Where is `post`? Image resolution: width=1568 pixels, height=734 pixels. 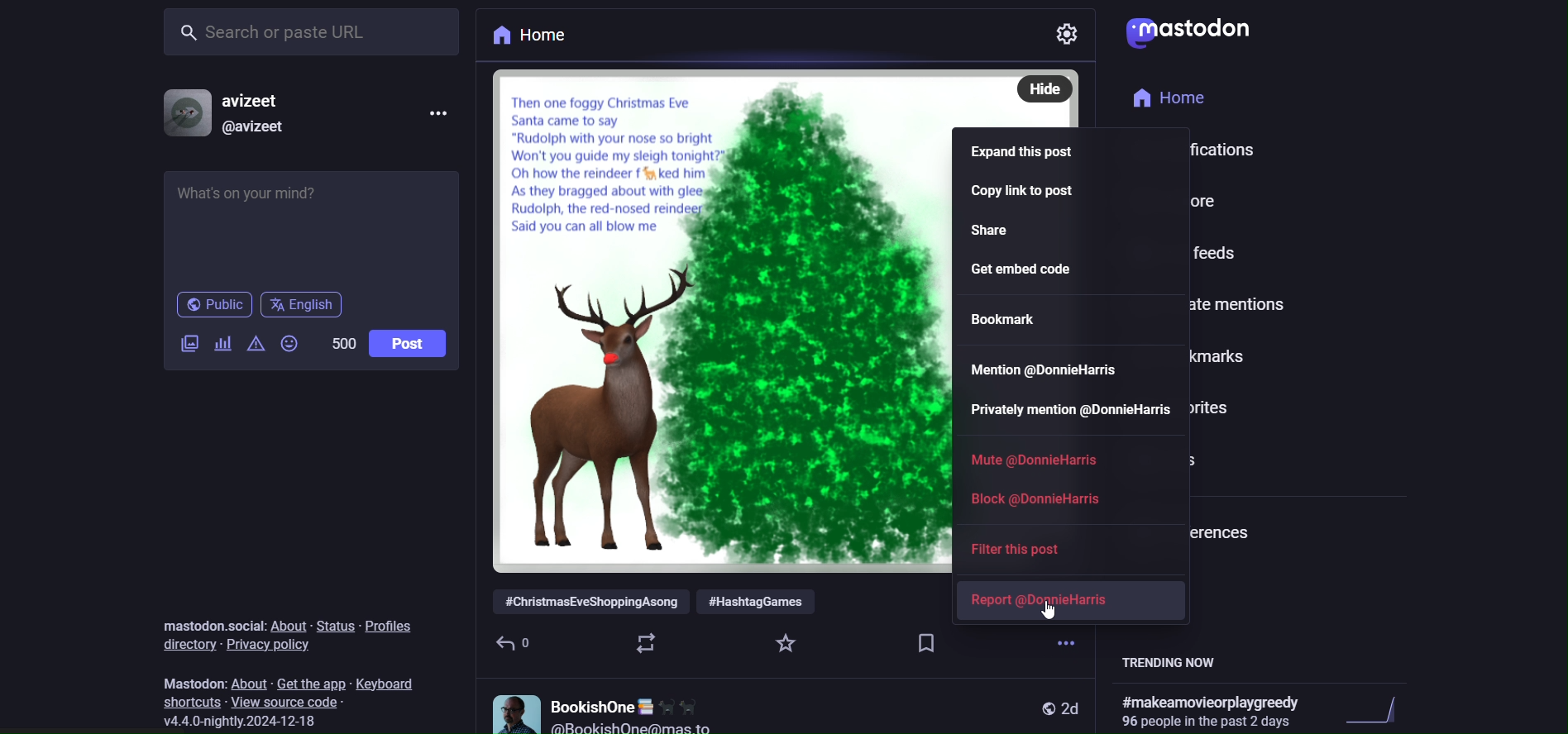
post is located at coordinates (410, 342).